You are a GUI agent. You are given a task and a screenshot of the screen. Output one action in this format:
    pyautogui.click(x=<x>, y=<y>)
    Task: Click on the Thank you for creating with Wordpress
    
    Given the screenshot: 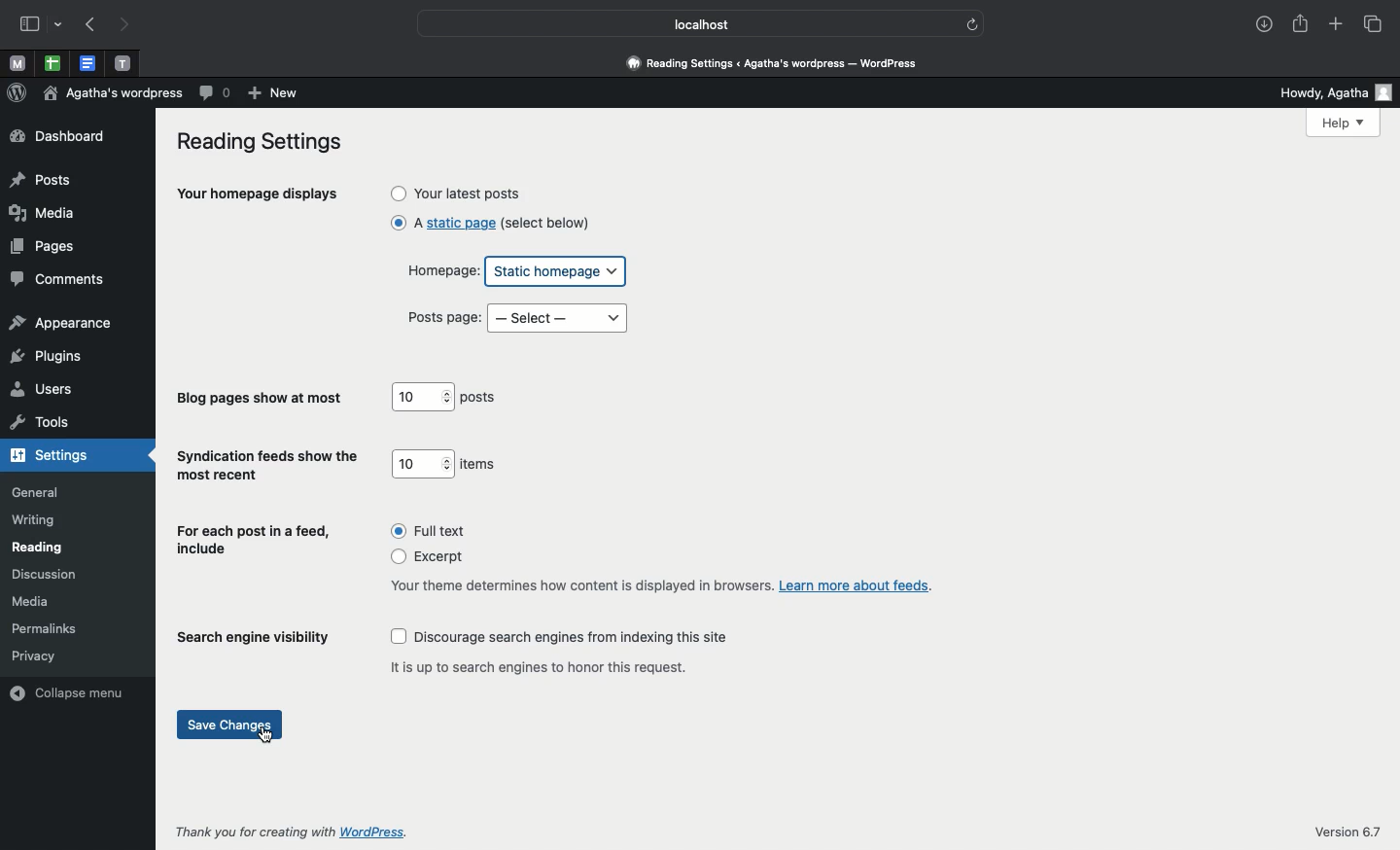 What is the action you would take?
    pyautogui.click(x=295, y=832)
    